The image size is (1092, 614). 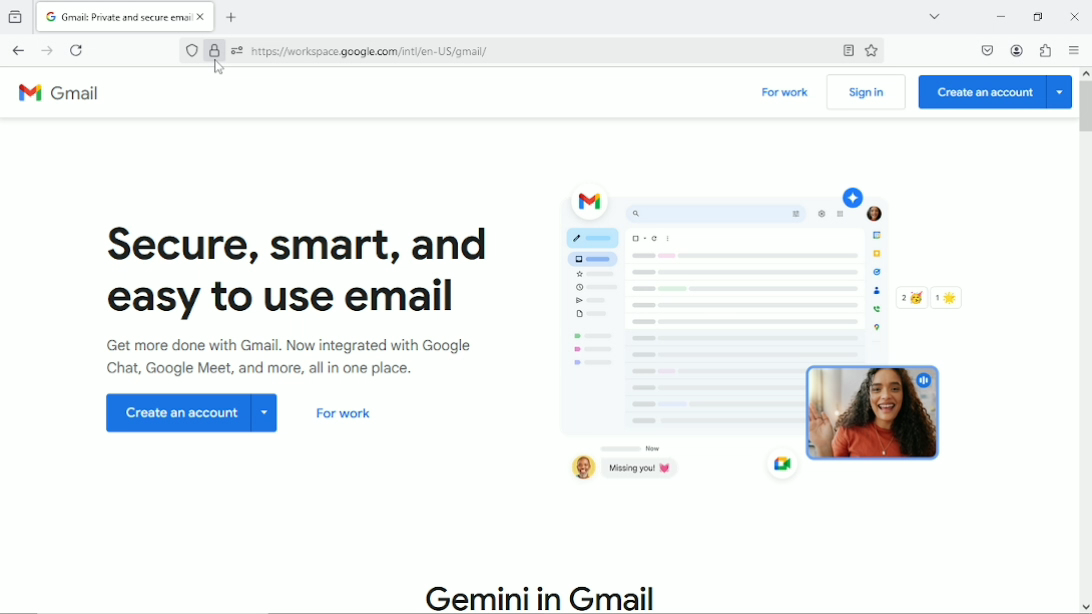 What do you see at coordinates (759, 335) in the screenshot?
I see `Graphic` at bounding box center [759, 335].